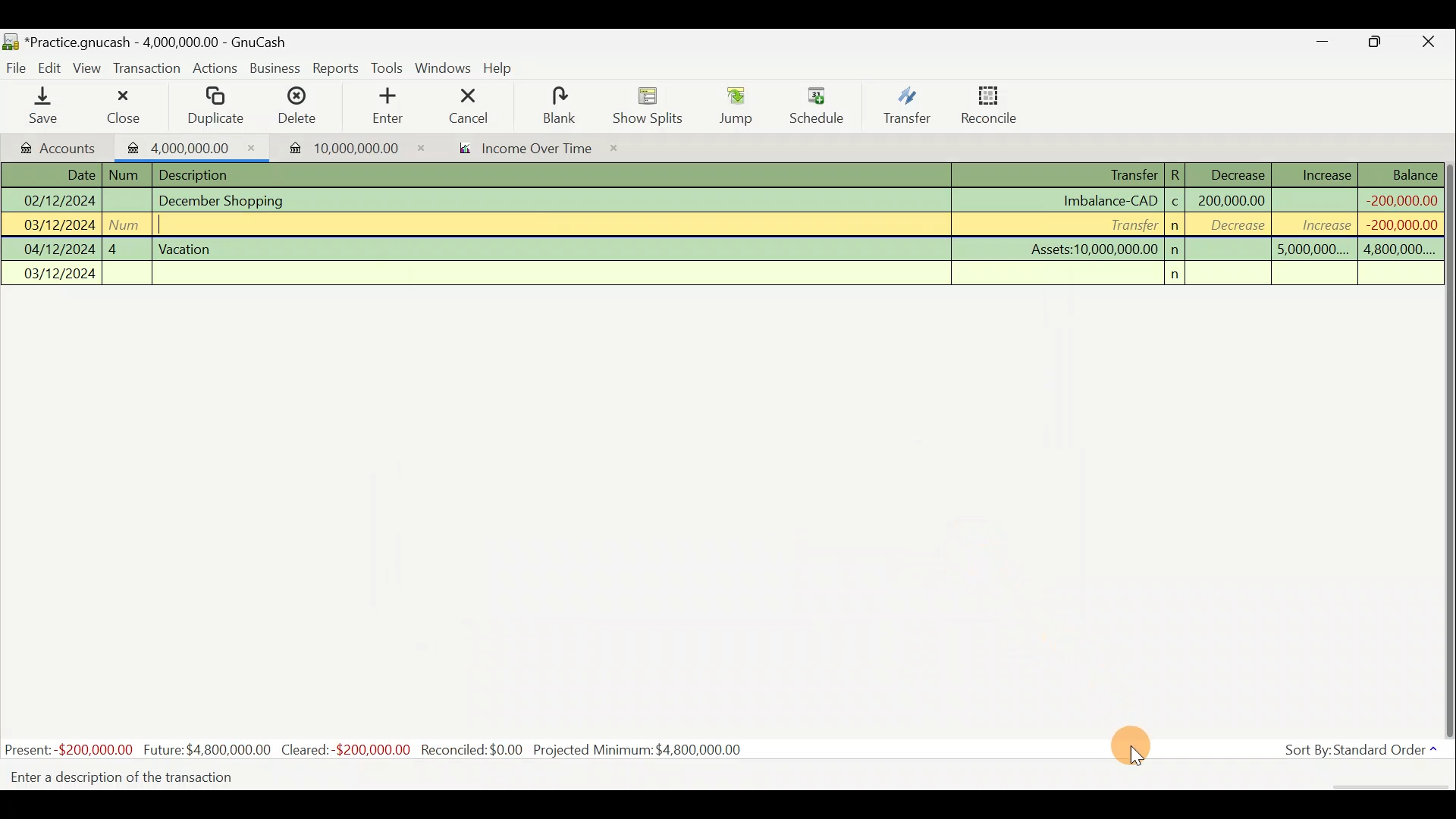 This screenshot has height=819, width=1456. Describe the element at coordinates (126, 247) in the screenshot. I see `4` at that location.